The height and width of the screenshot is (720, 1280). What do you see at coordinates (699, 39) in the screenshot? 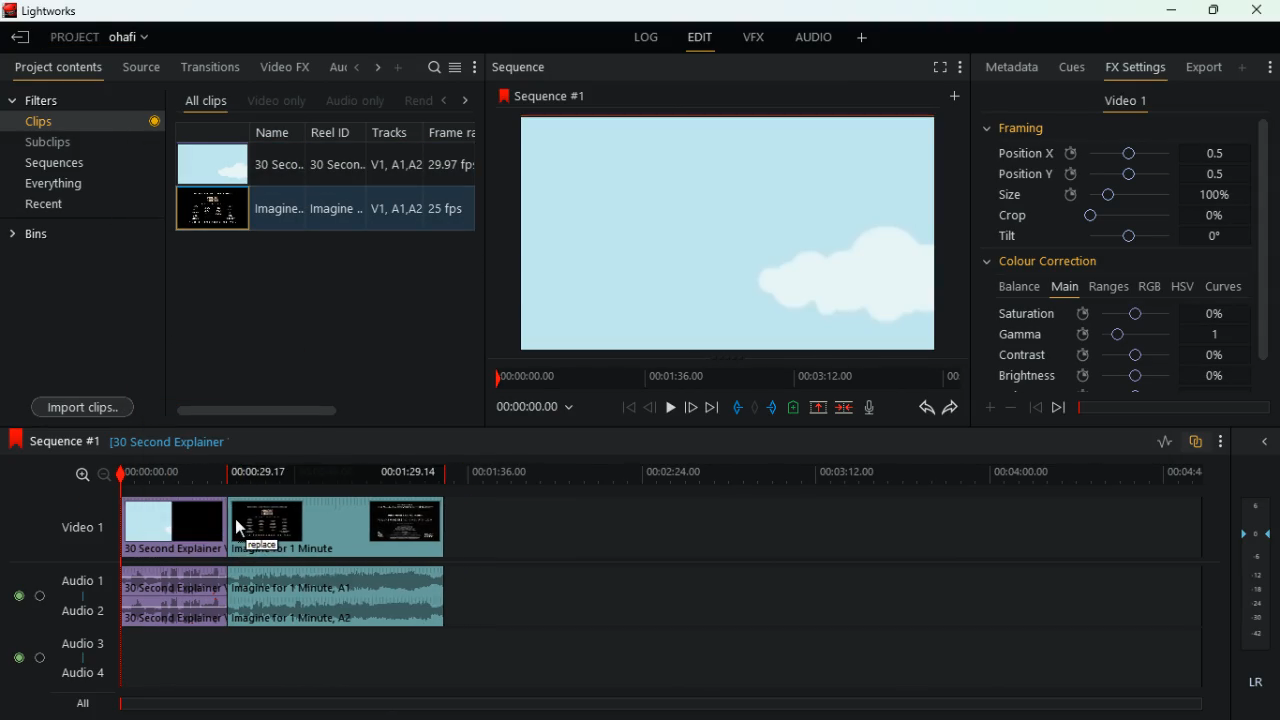
I see `edit` at bounding box center [699, 39].